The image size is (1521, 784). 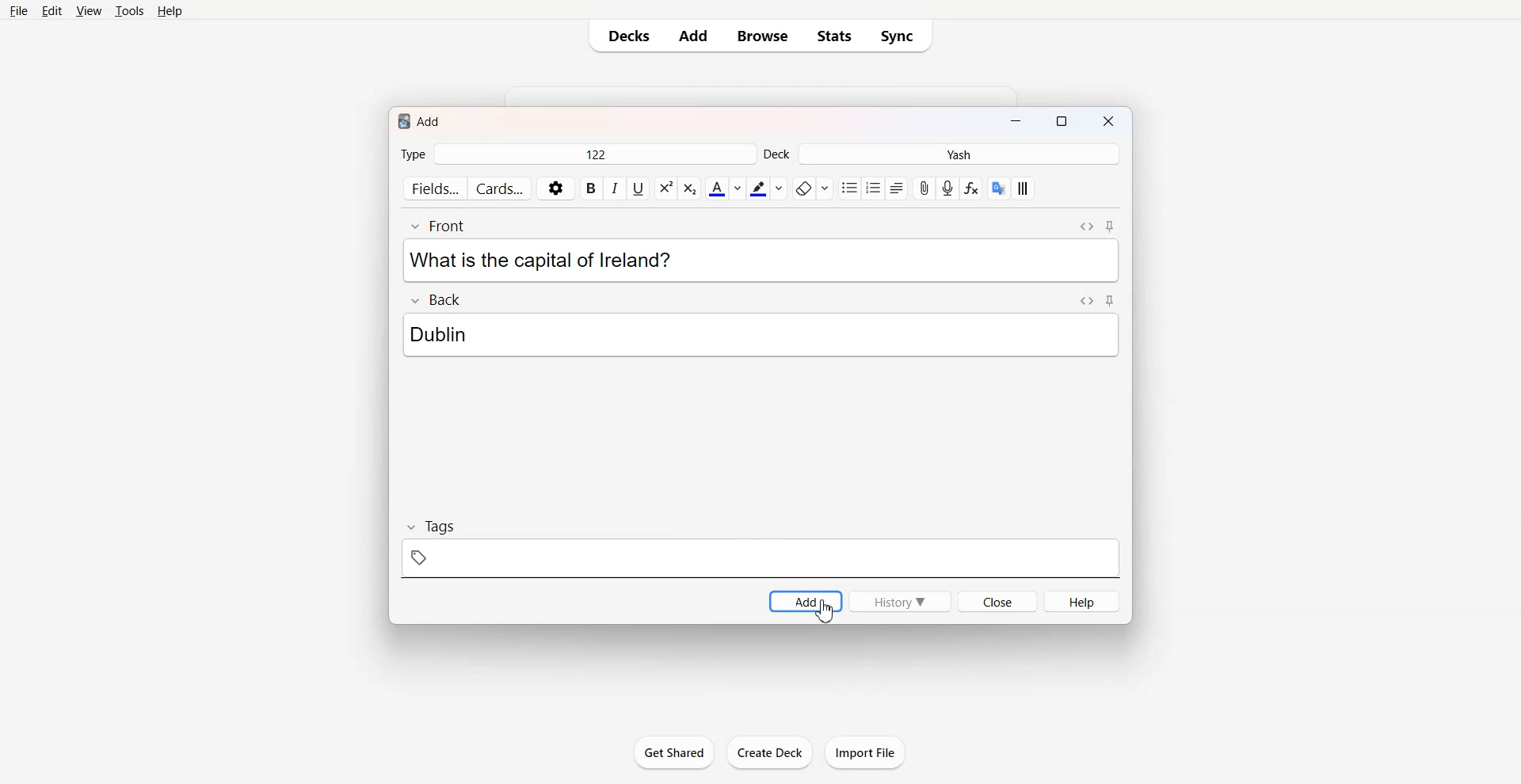 What do you see at coordinates (924, 188) in the screenshot?
I see `Attach File` at bounding box center [924, 188].